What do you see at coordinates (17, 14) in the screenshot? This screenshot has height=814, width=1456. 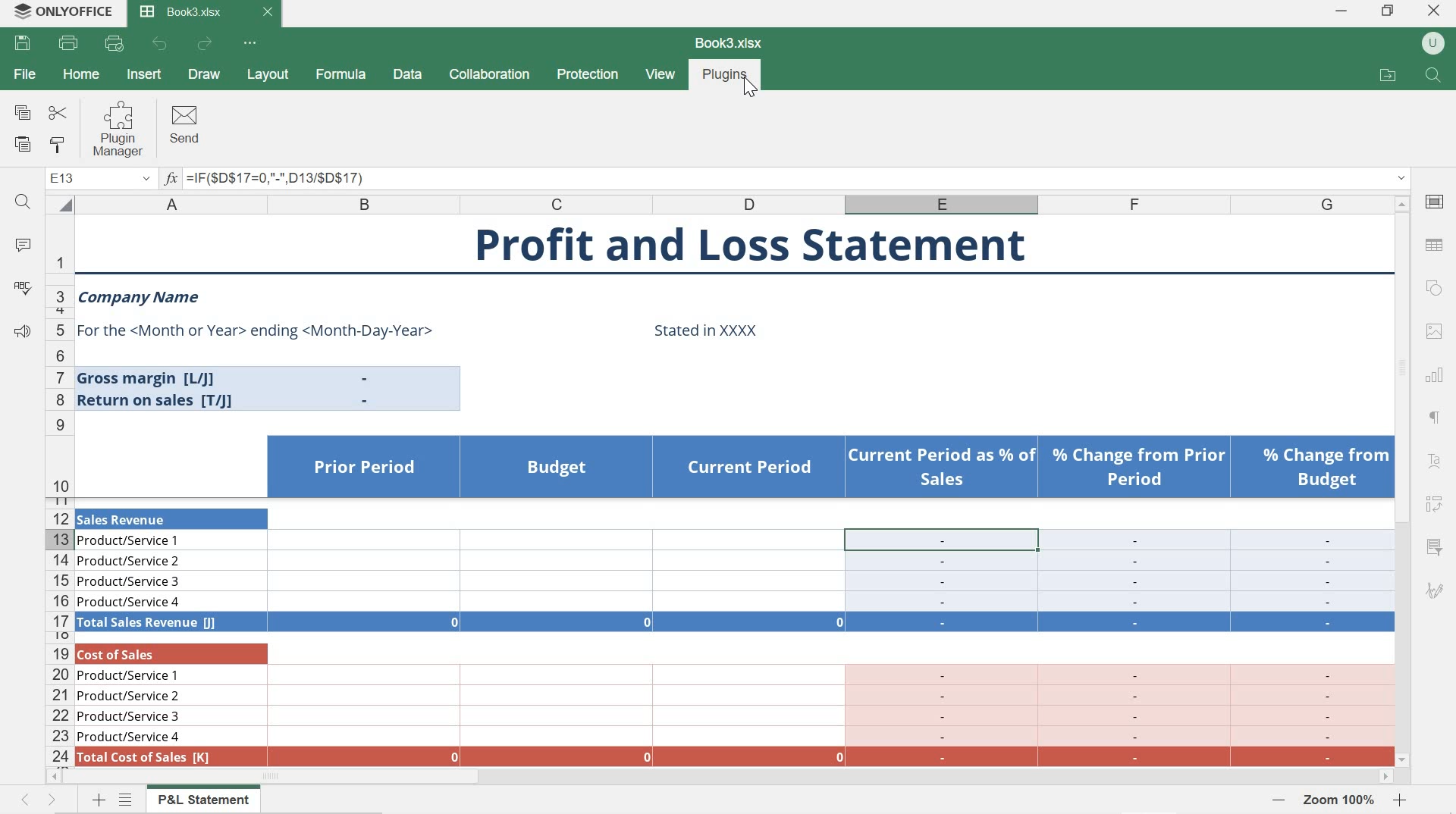 I see `onlyoffice logo` at bounding box center [17, 14].